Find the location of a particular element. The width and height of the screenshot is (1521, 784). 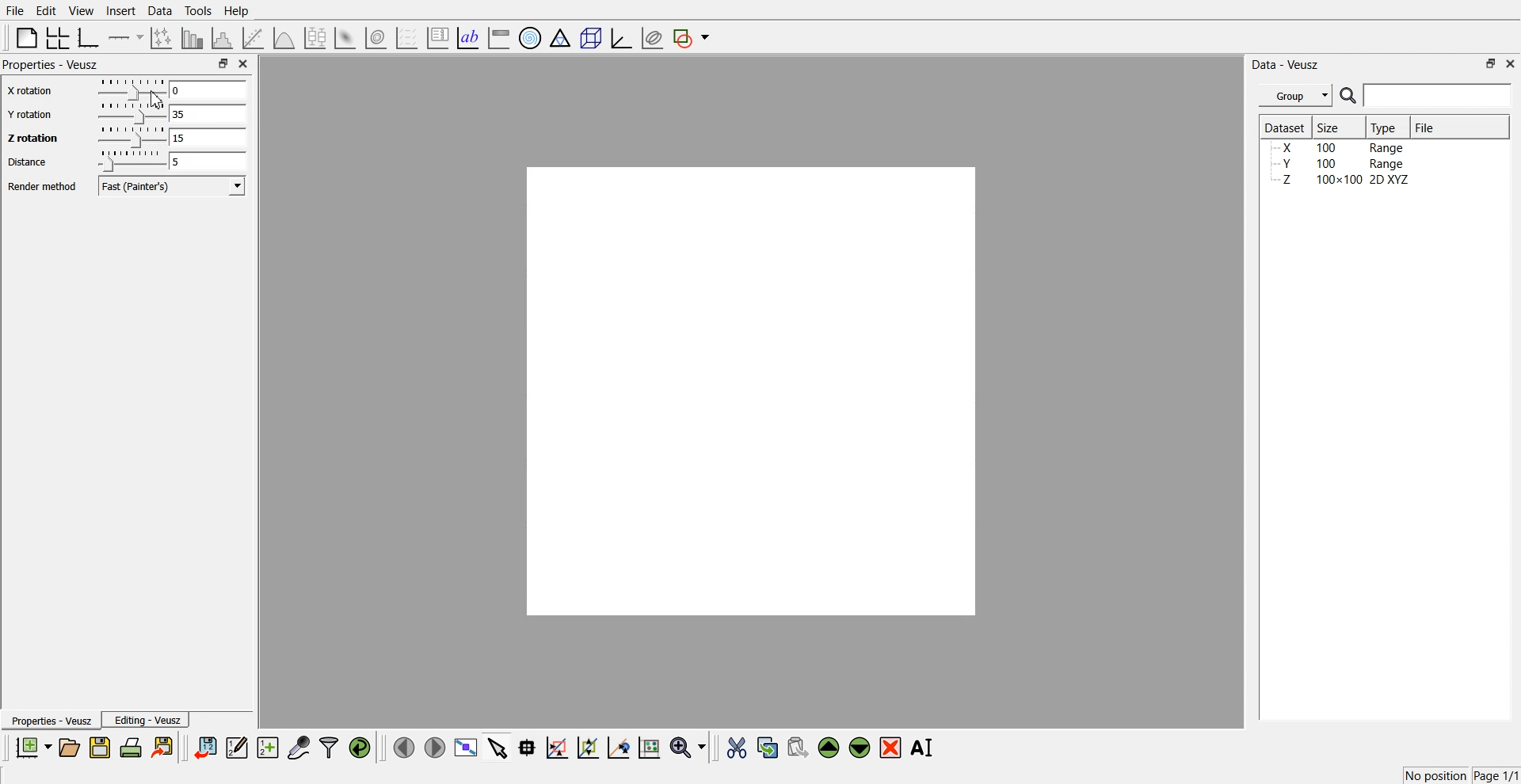

Paste widget from the clipboard is located at coordinates (798, 746).